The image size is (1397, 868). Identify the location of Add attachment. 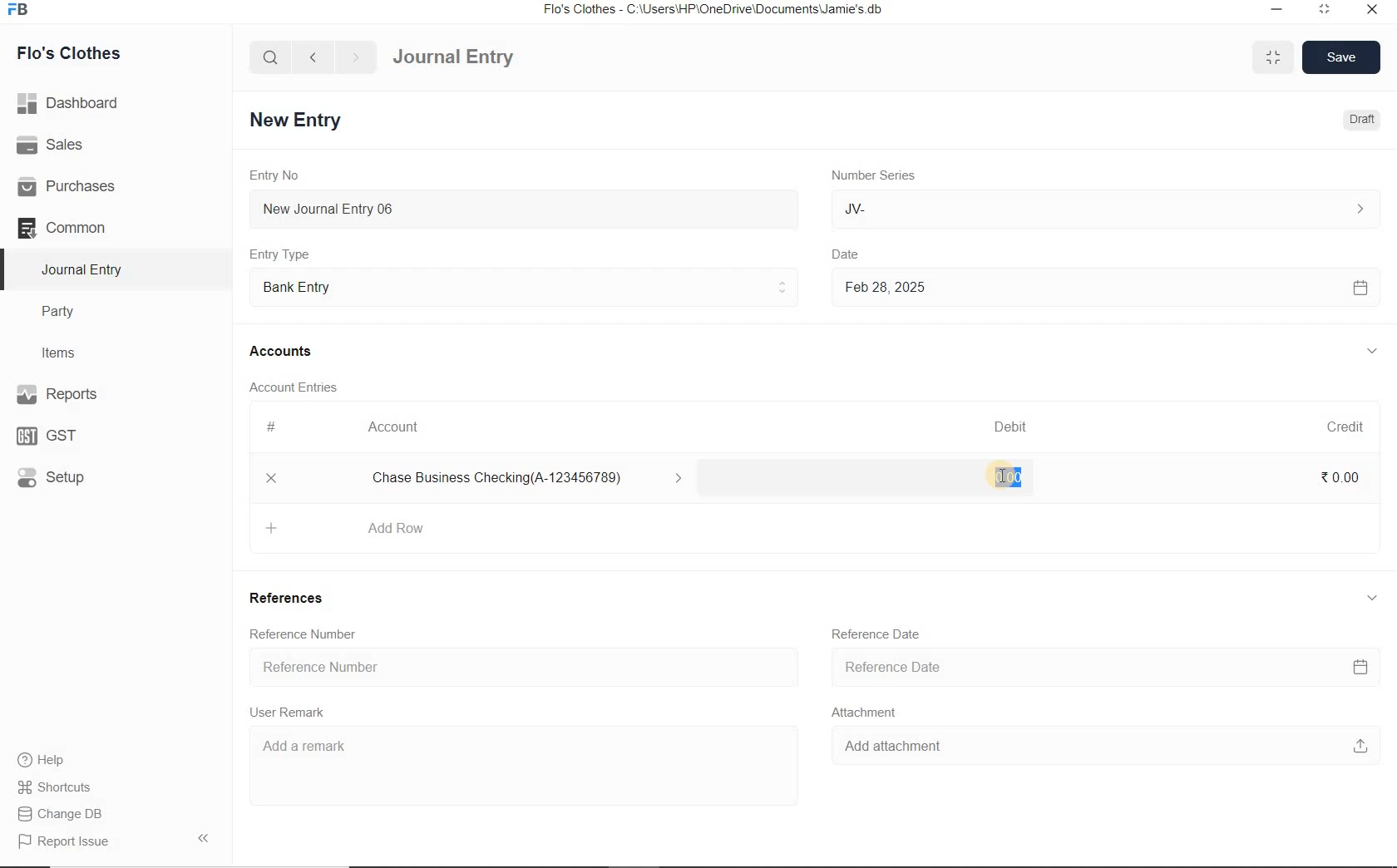
(1098, 749).